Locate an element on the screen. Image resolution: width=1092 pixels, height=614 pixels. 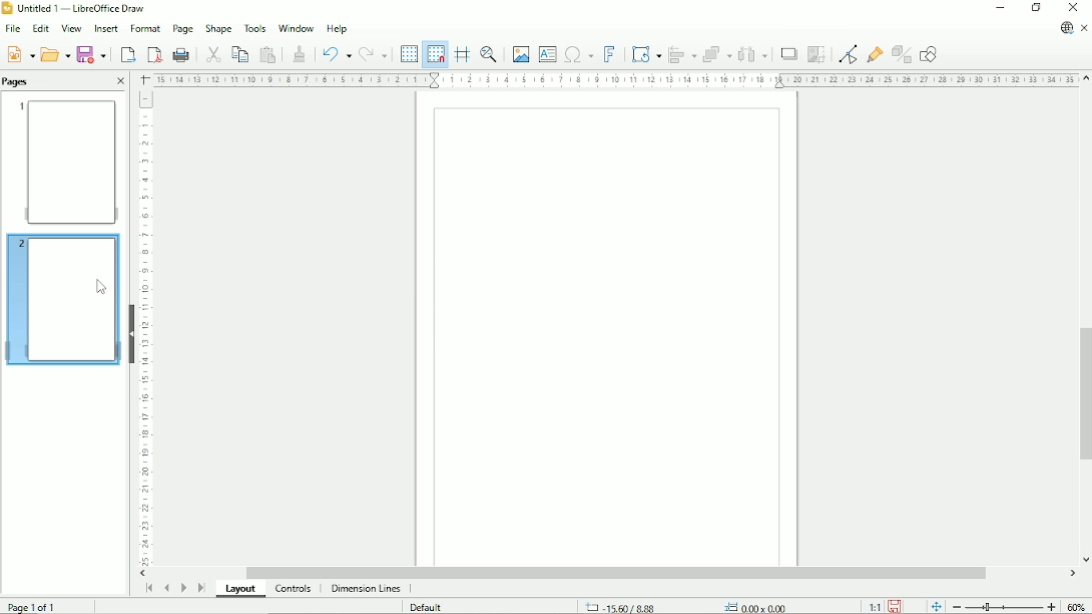
Scaling factor is located at coordinates (874, 606).